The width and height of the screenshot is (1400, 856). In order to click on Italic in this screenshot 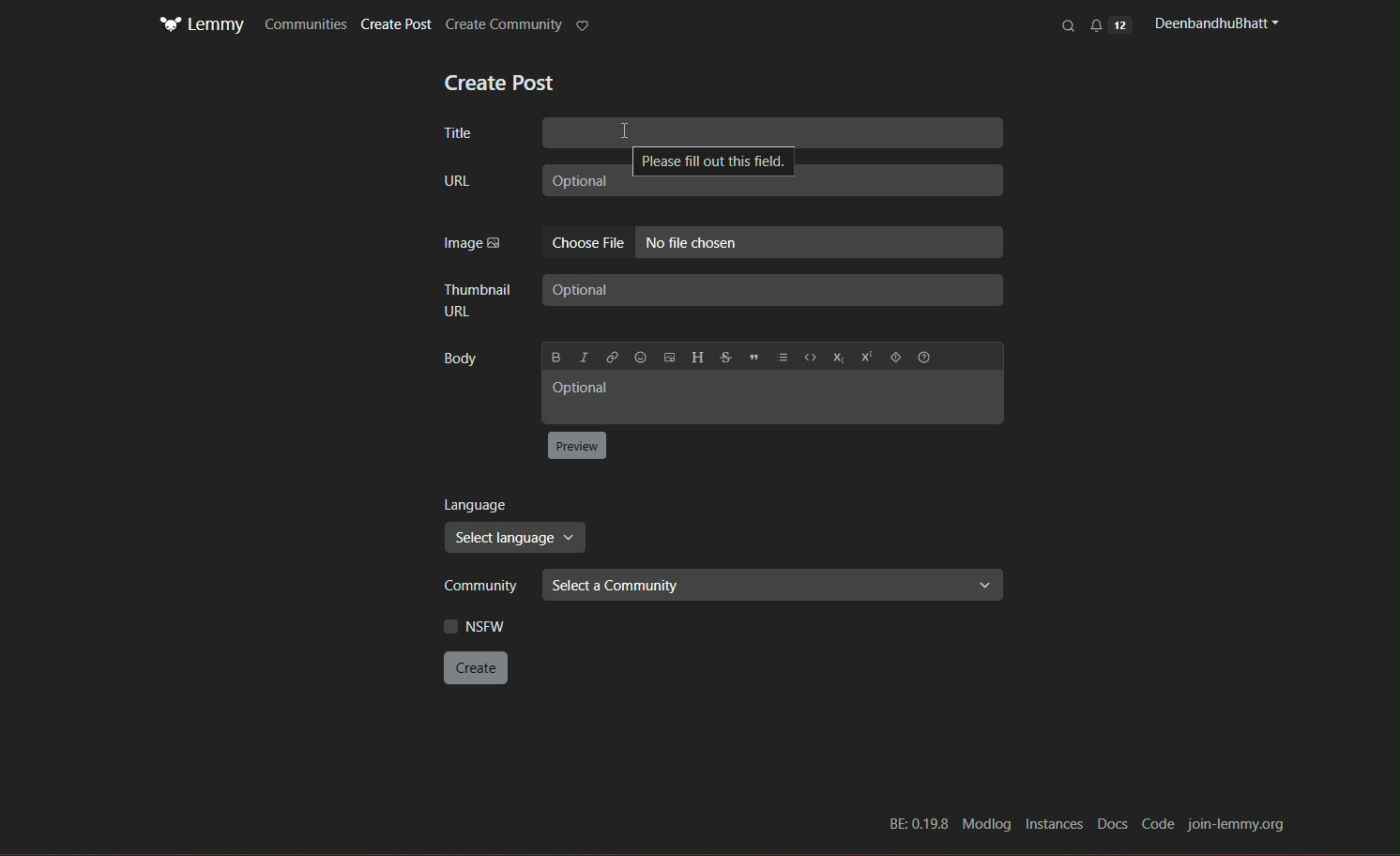, I will do `click(583, 357)`.